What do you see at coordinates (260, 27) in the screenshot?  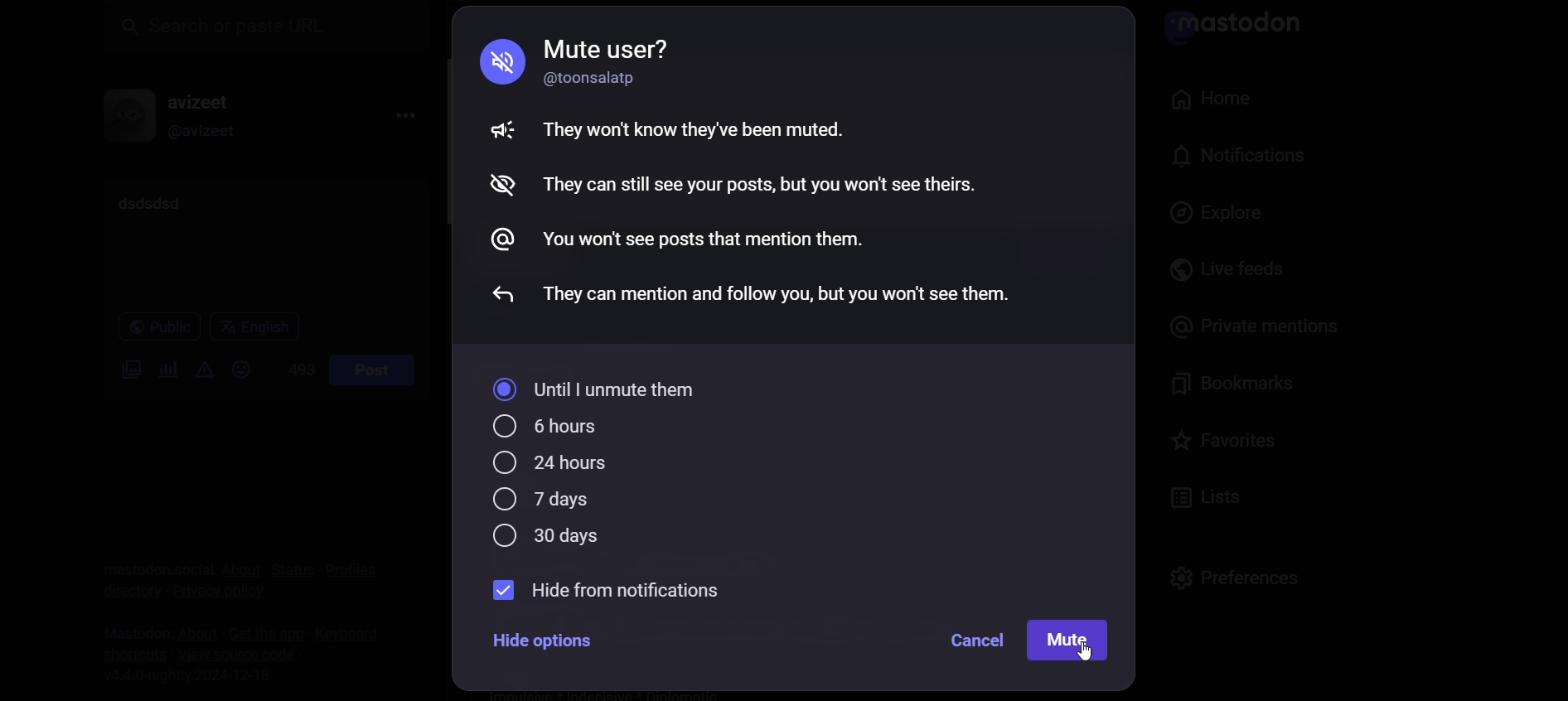 I see `search` at bounding box center [260, 27].